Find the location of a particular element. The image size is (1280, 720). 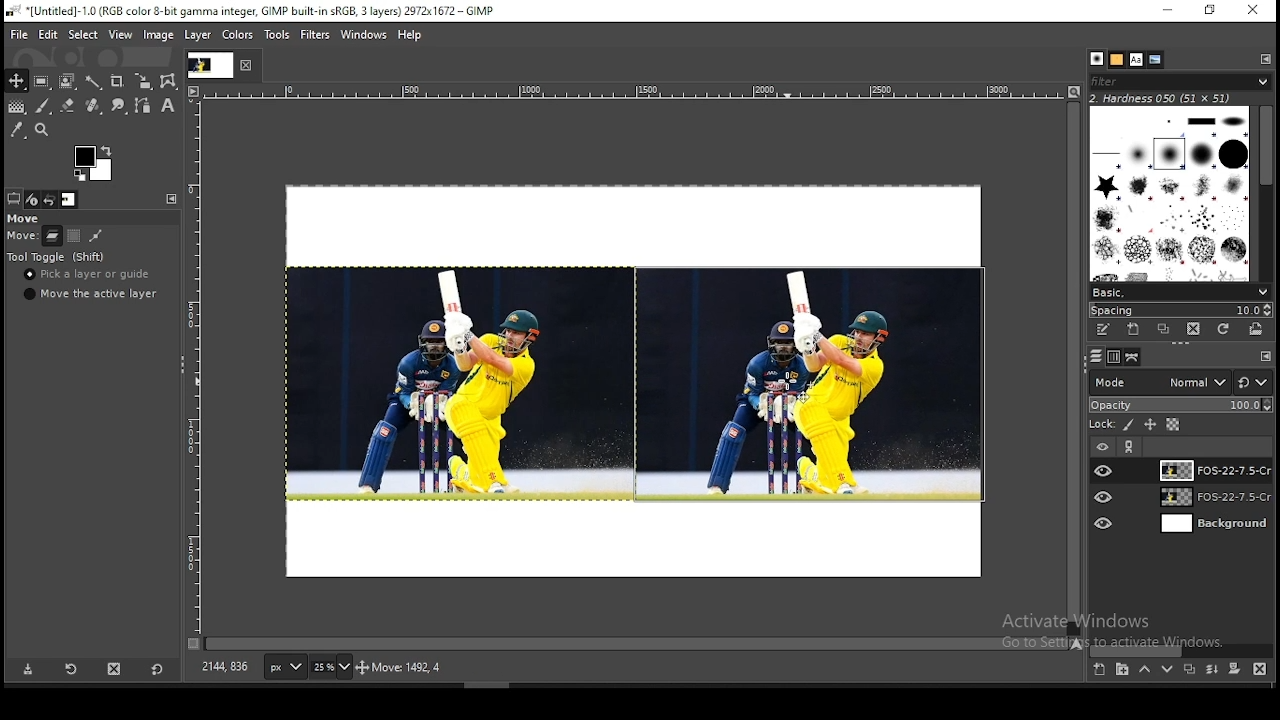

layer is located at coordinates (196, 36).